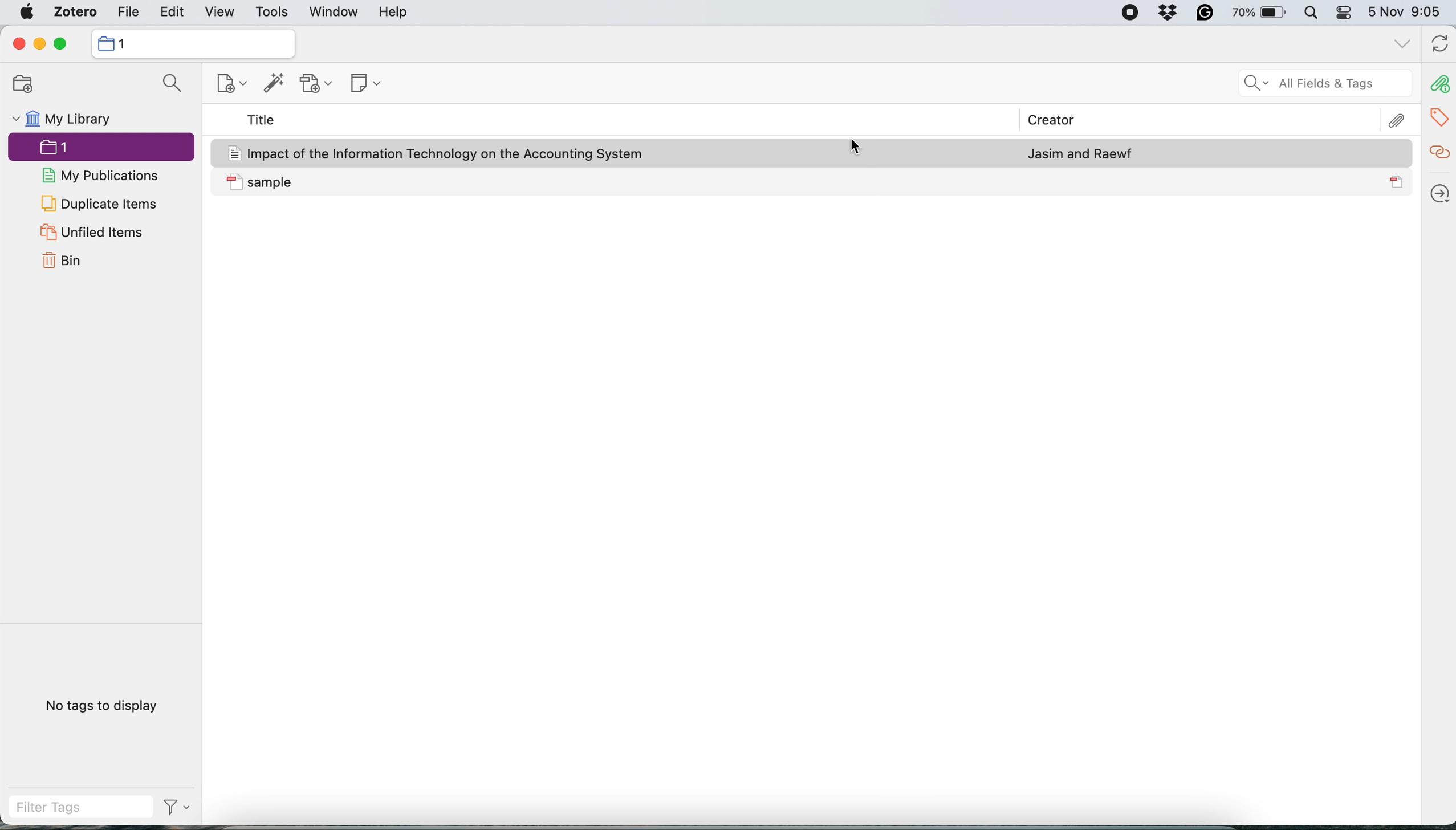 The width and height of the screenshot is (1456, 830). Describe the element at coordinates (1170, 14) in the screenshot. I see `dropbox` at that location.